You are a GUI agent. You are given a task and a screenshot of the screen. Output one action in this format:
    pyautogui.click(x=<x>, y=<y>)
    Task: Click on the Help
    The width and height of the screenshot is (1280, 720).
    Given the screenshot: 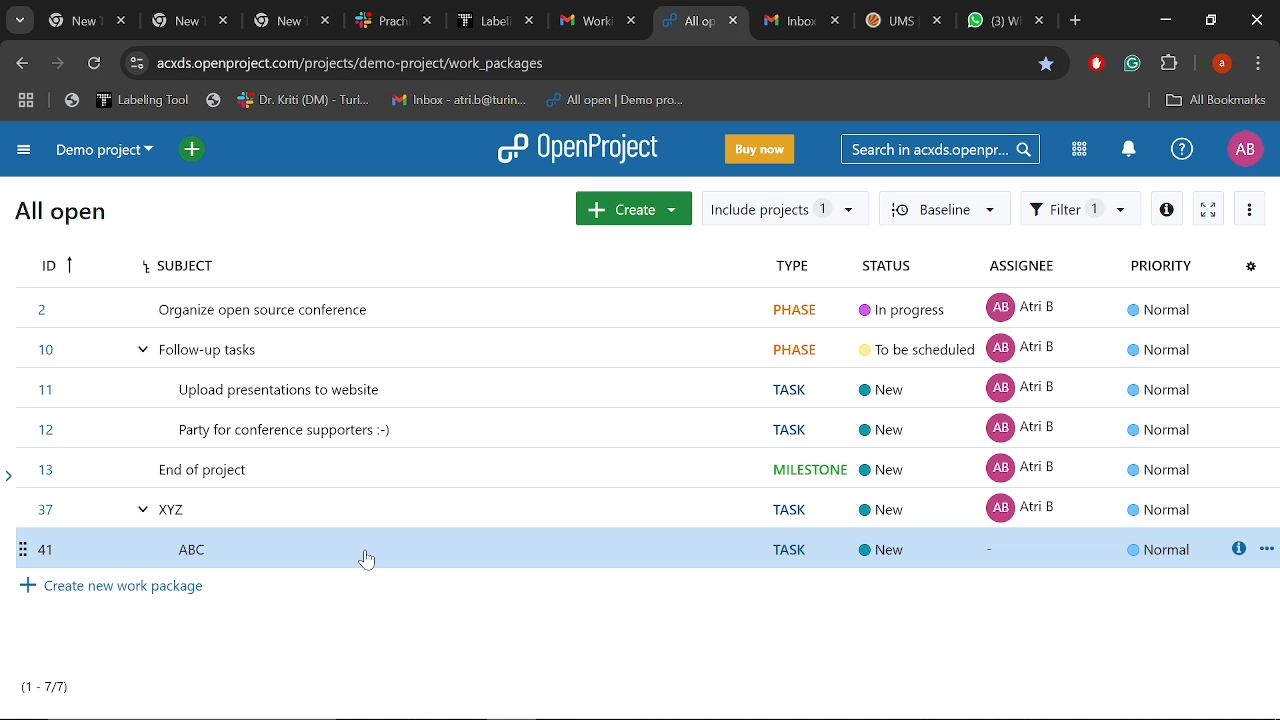 What is the action you would take?
    pyautogui.click(x=1179, y=149)
    